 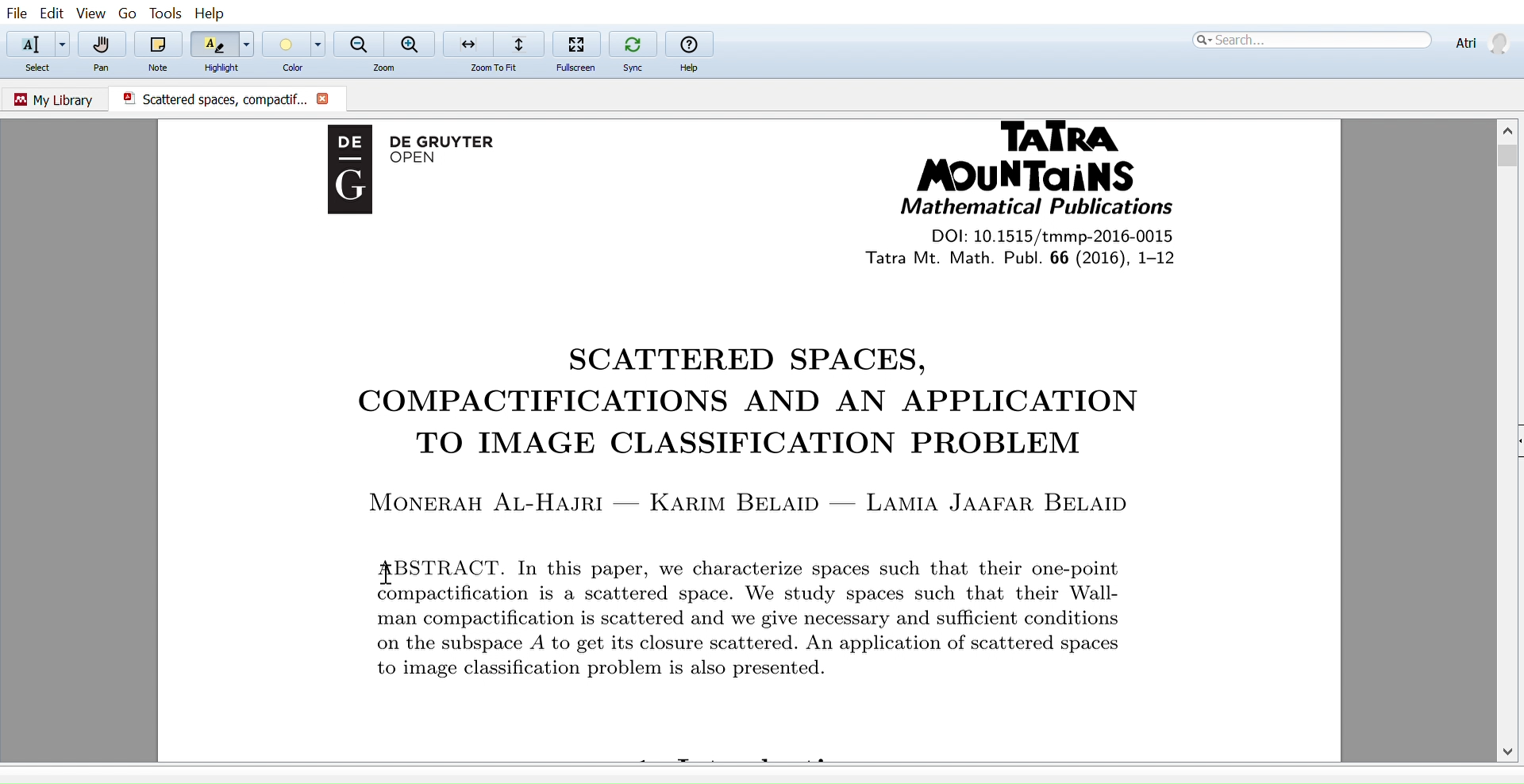 What do you see at coordinates (162, 13) in the screenshot?
I see `Tools` at bounding box center [162, 13].